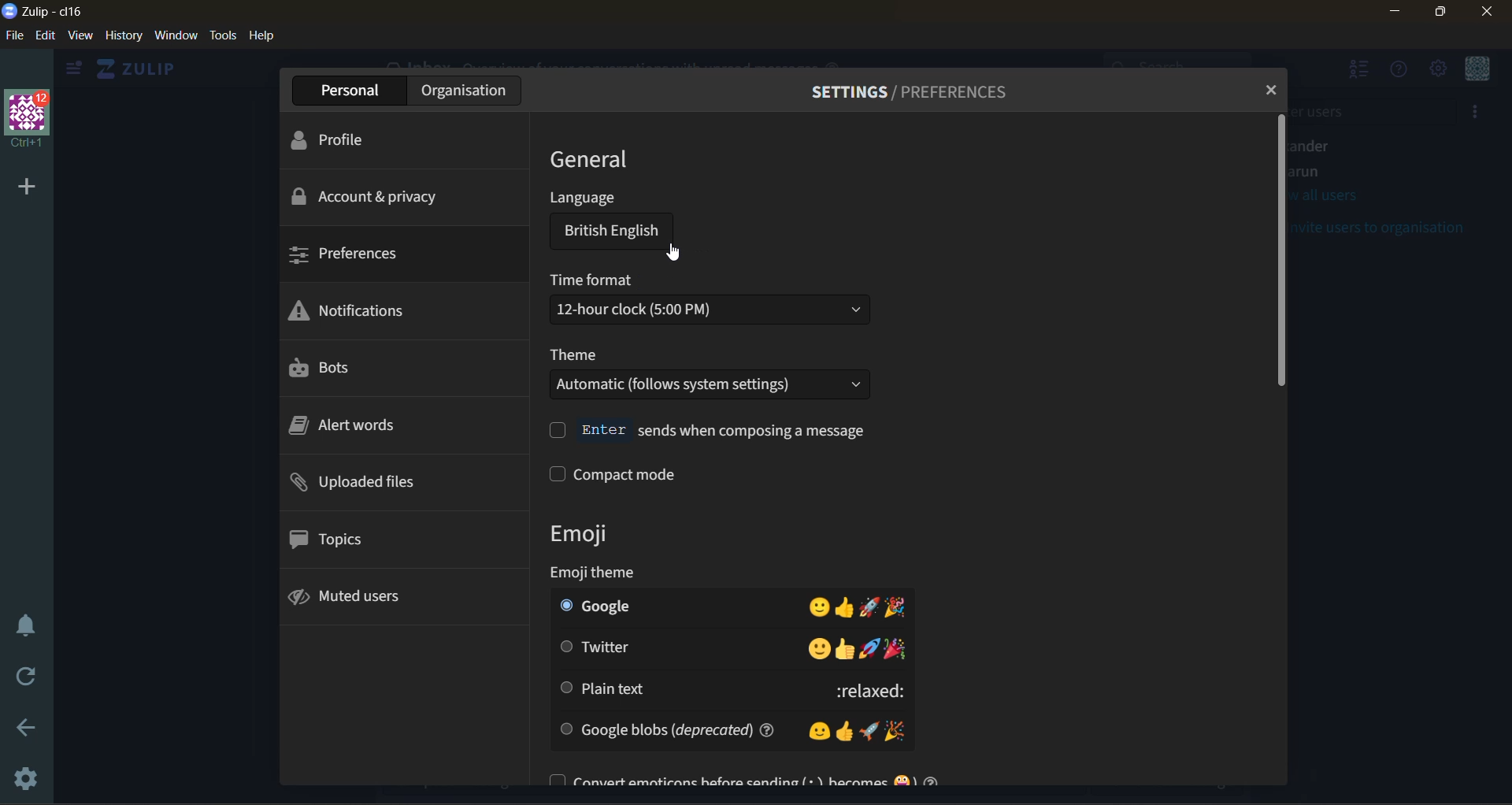  Describe the element at coordinates (1440, 72) in the screenshot. I see `main menu` at that location.